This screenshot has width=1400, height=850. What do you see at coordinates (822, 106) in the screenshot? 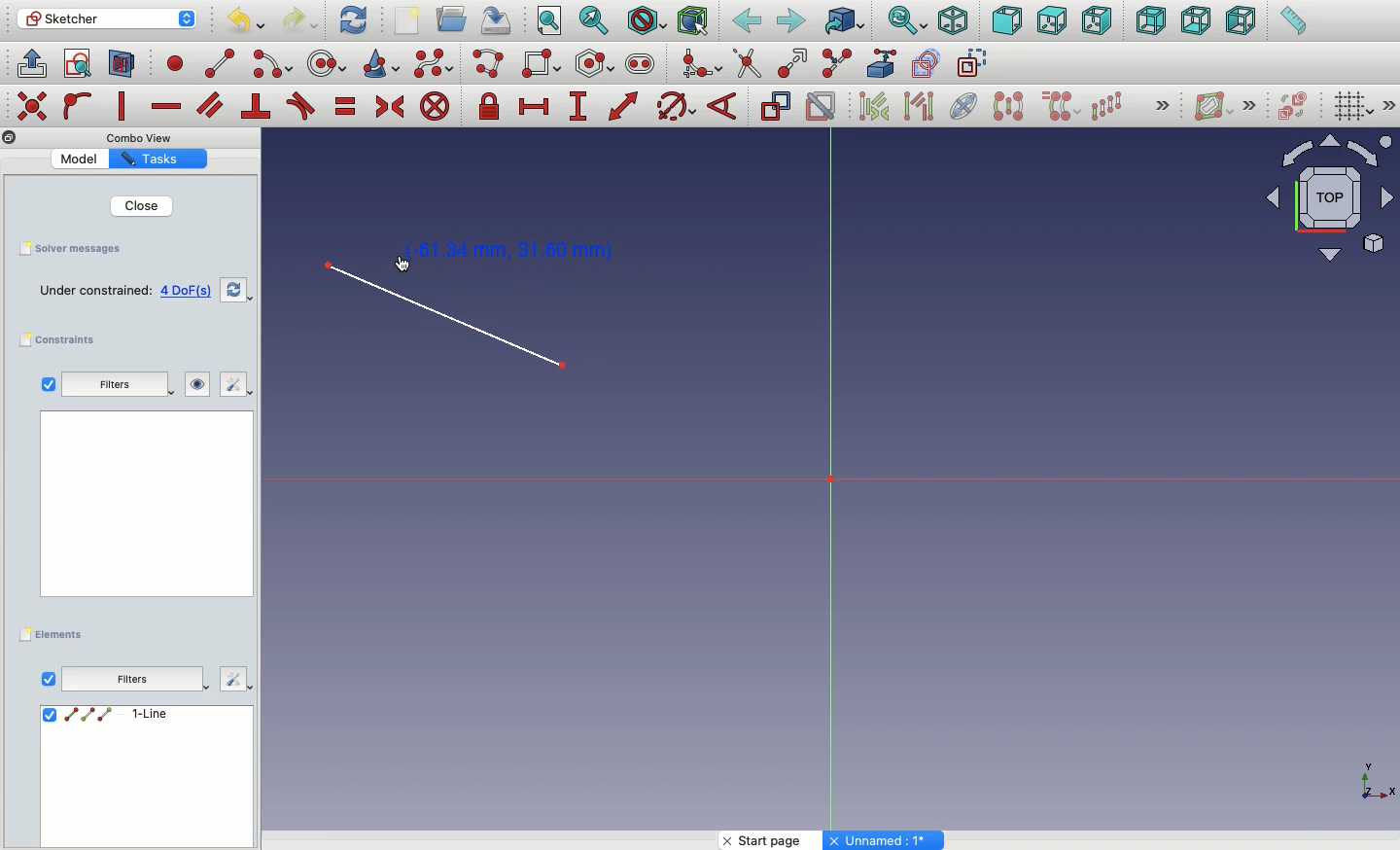
I see `Activate/deactivate constraint` at bounding box center [822, 106].